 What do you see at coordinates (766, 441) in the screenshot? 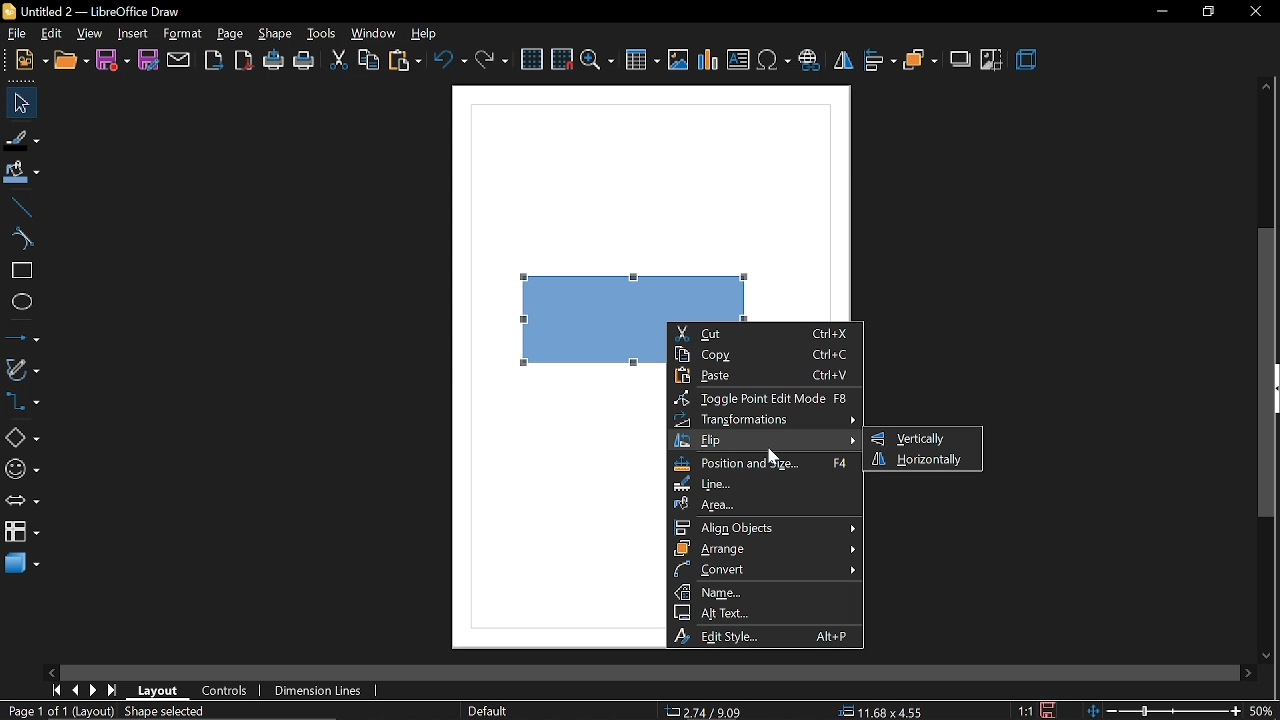
I see `flip` at bounding box center [766, 441].